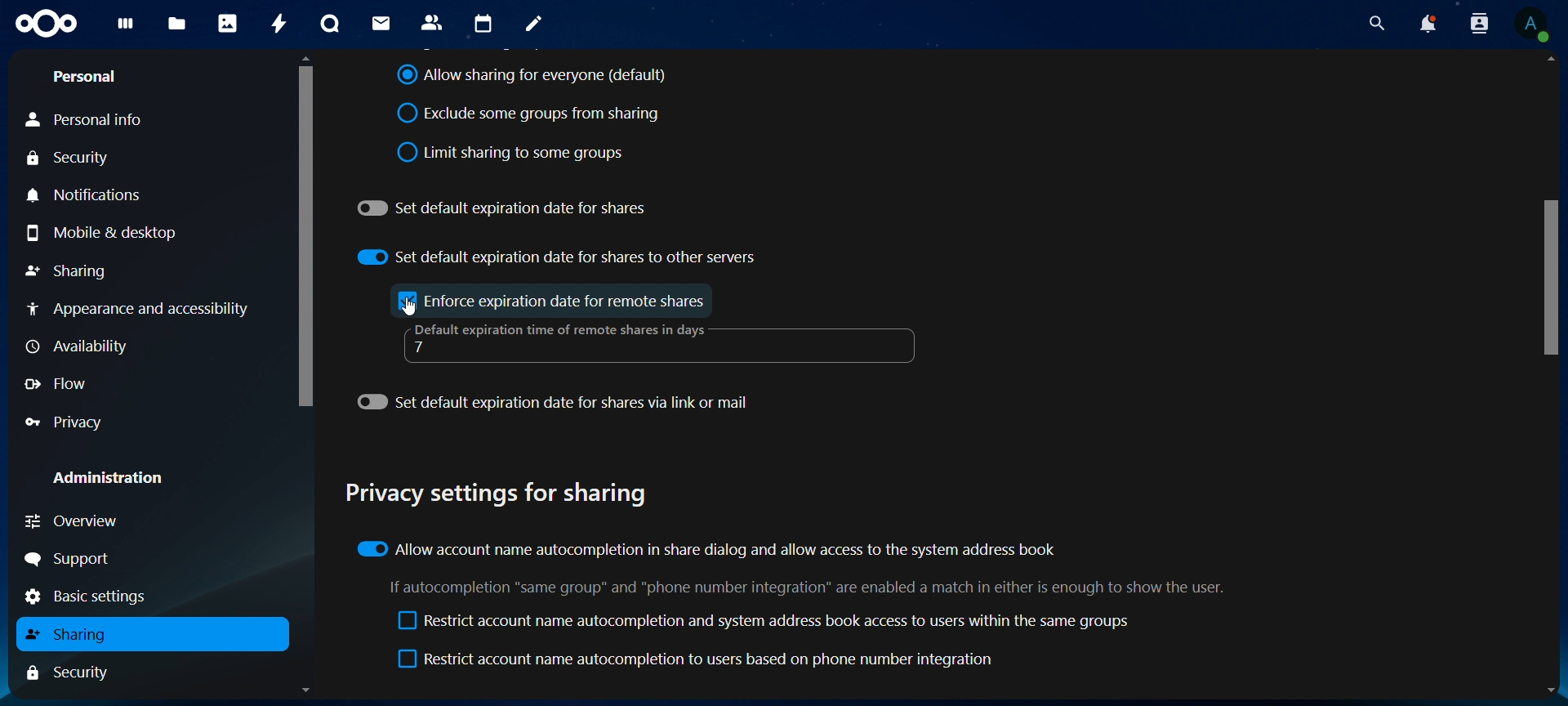 The width and height of the screenshot is (1568, 706). What do you see at coordinates (78, 346) in the screenshot?
I see `availability` at bounding box center [78, 346].